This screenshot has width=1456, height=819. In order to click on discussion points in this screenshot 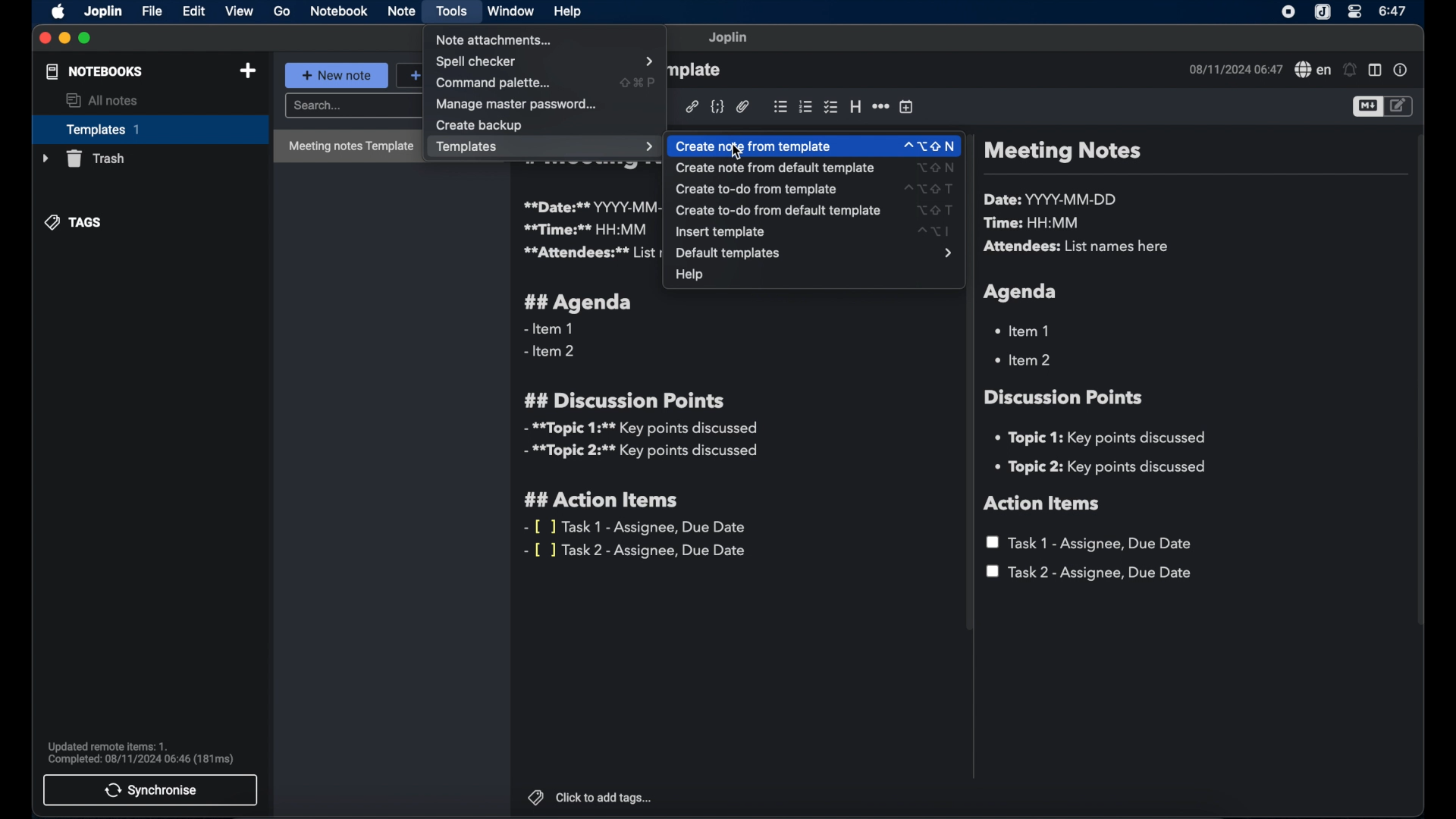, I will do `click(1065, 397)`.